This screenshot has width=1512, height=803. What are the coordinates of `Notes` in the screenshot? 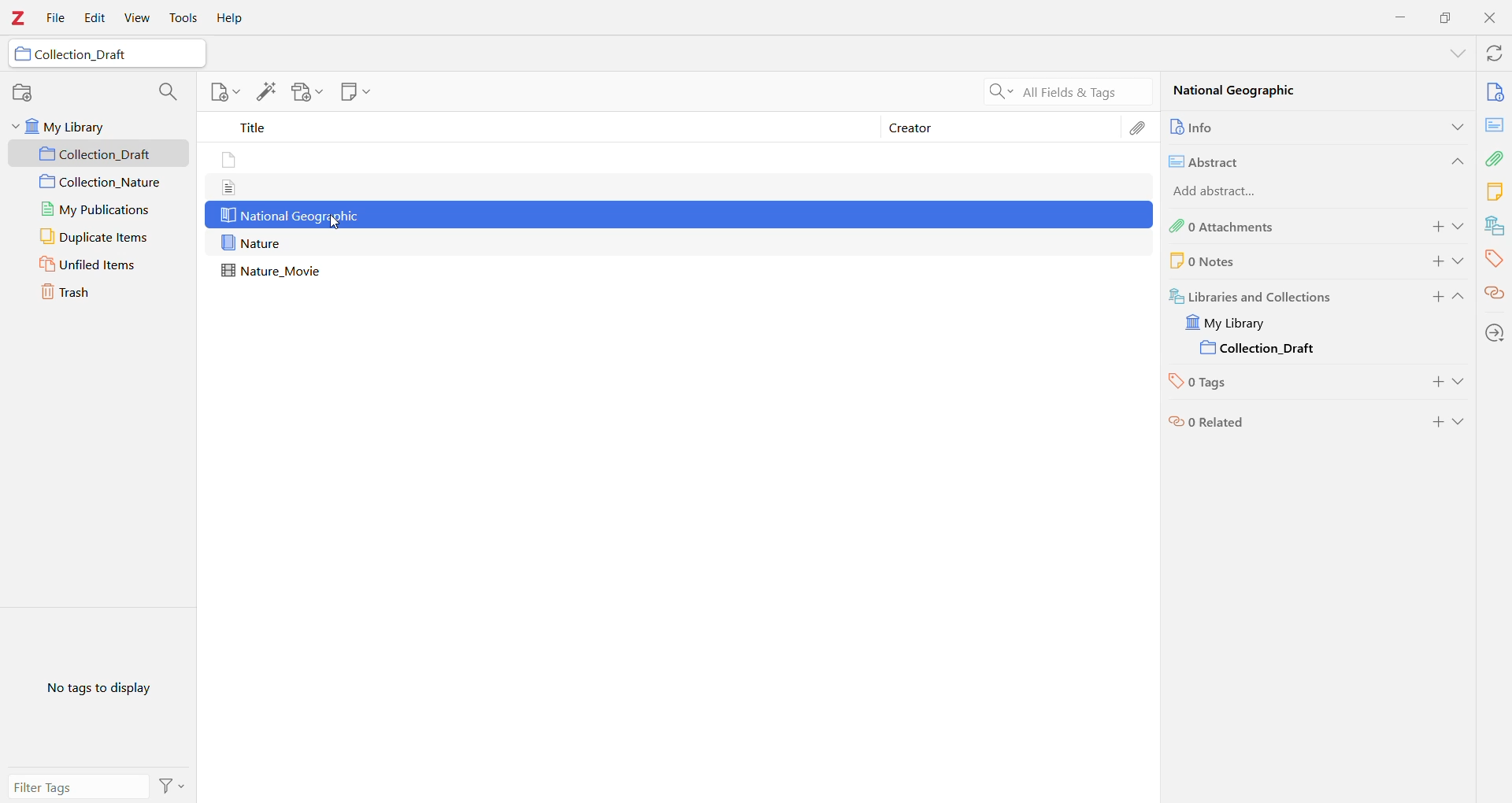 It's located at (1495, 191).